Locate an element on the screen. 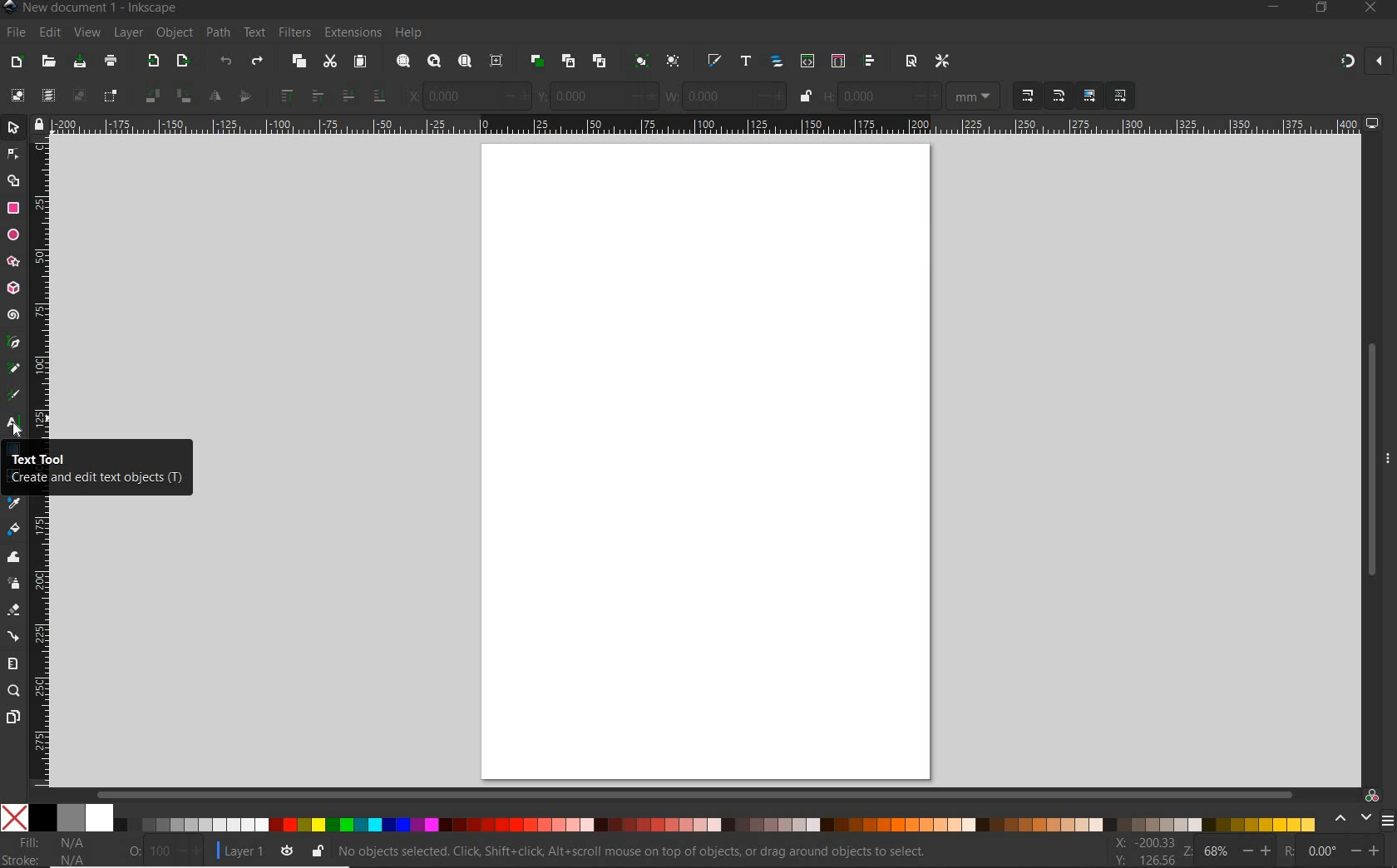 This screenshot has height=868, width=1397. 3d box tool is located at coordinates (13, 290).